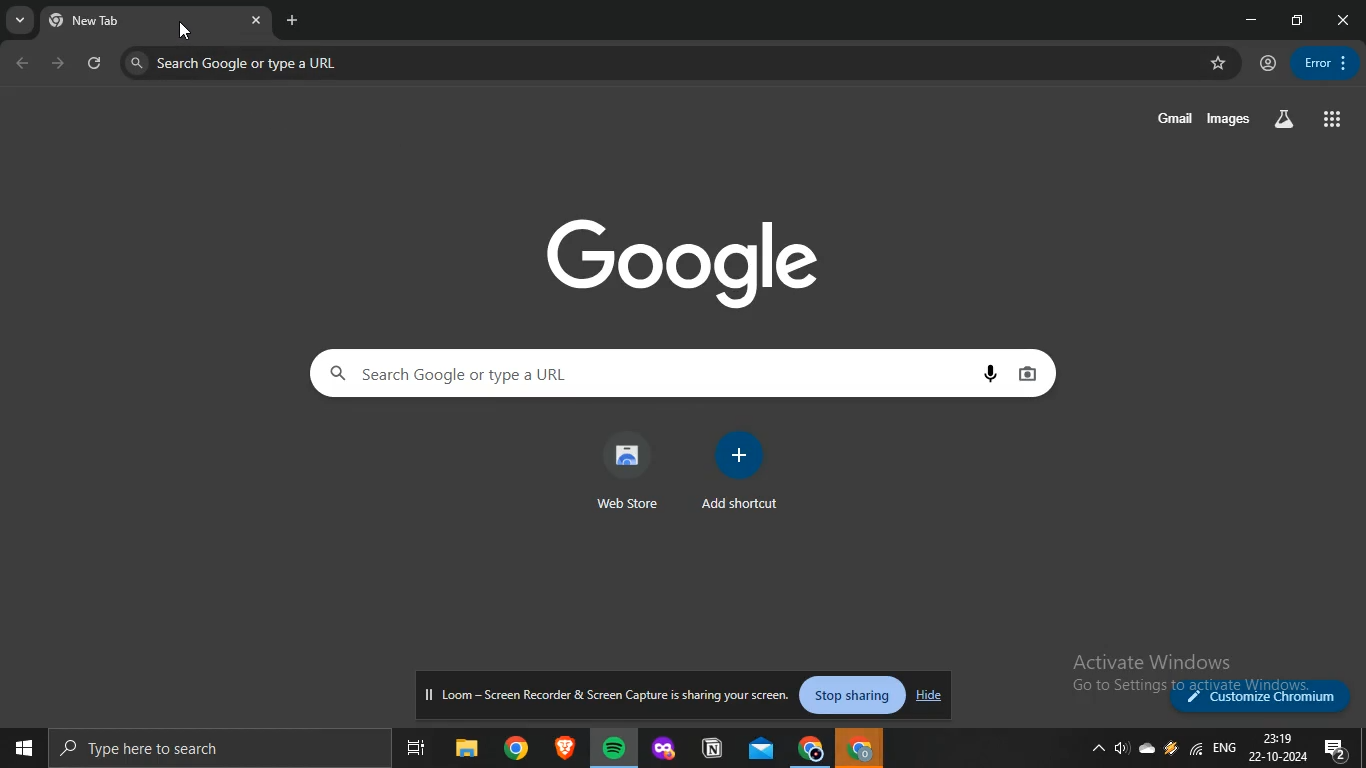 Image resolution: width=1366 pixels, height=768 pixels. What do you see at coordinates (995, 374) in the screenshot?
I see `voice search` at bounding box center [995, 374].